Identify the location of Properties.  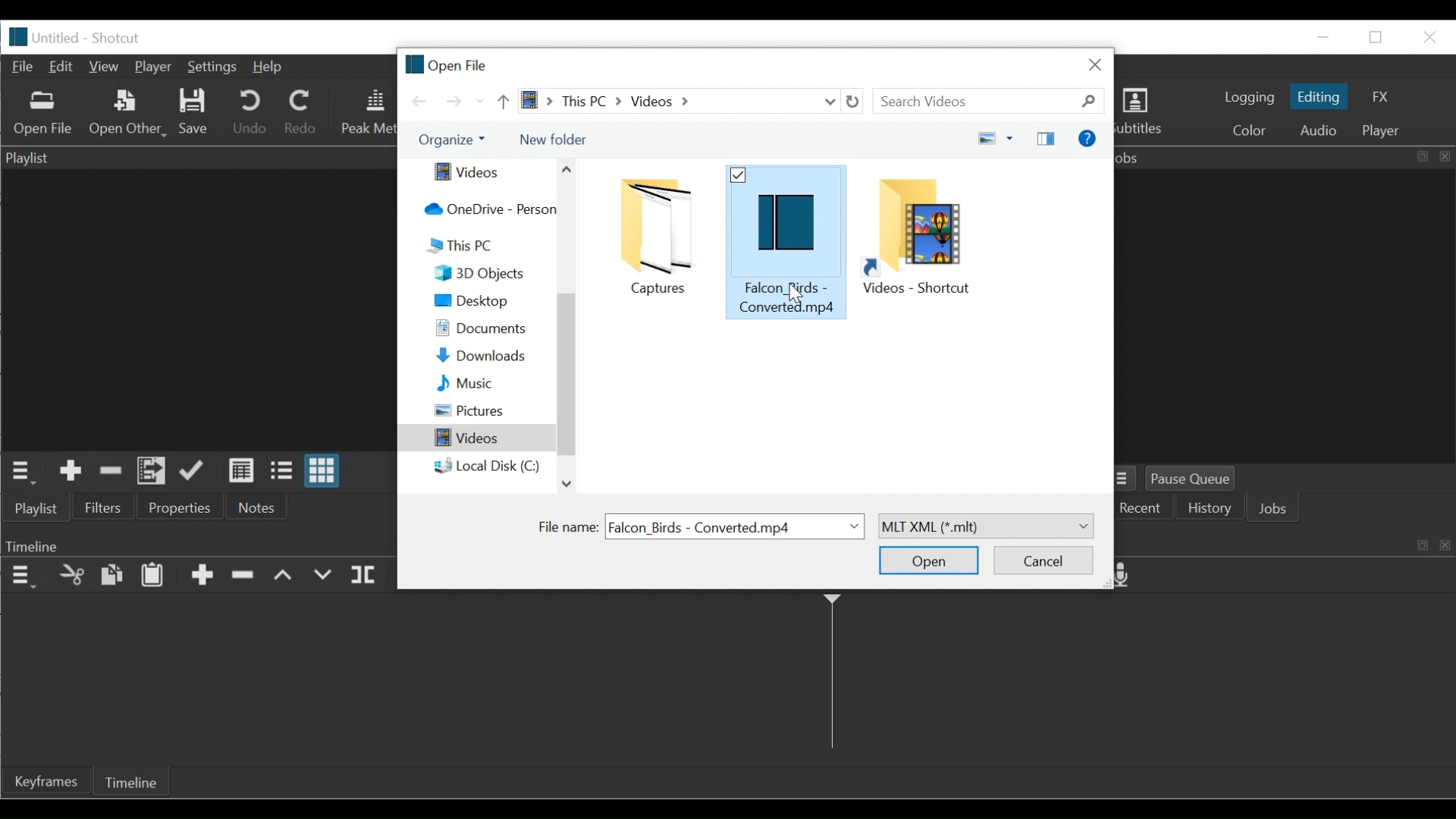
(184, 506).